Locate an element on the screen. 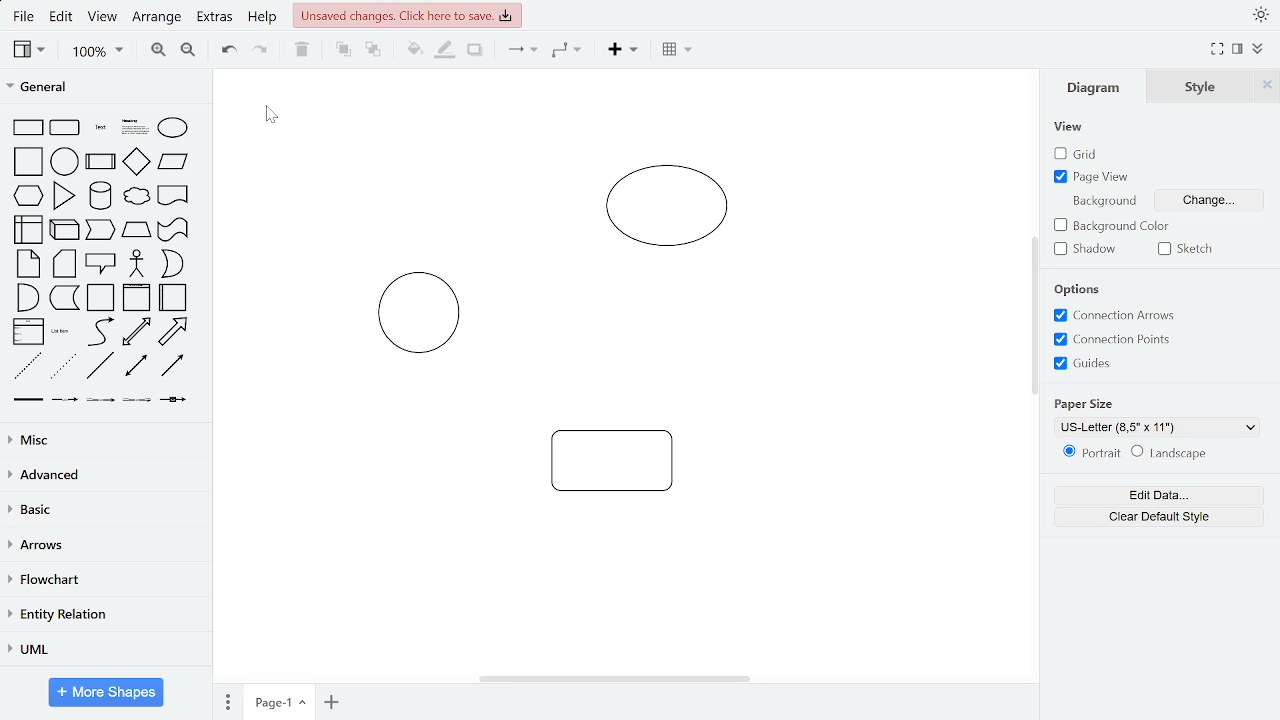 The image size is (1280, 720). page view is located at coordinates (1095, 177).